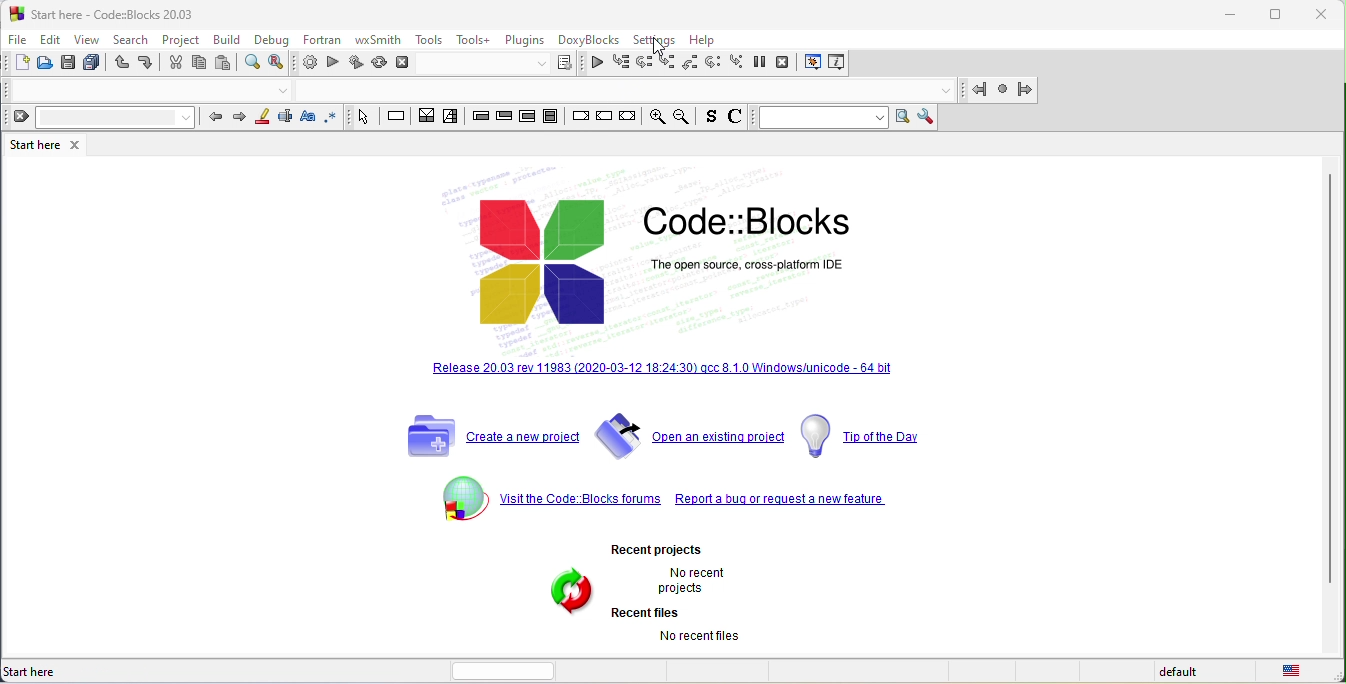 The height and width of the screenshot is (684, 1346). I want to click on start here-code blocks-20 03, so click(131, 14).